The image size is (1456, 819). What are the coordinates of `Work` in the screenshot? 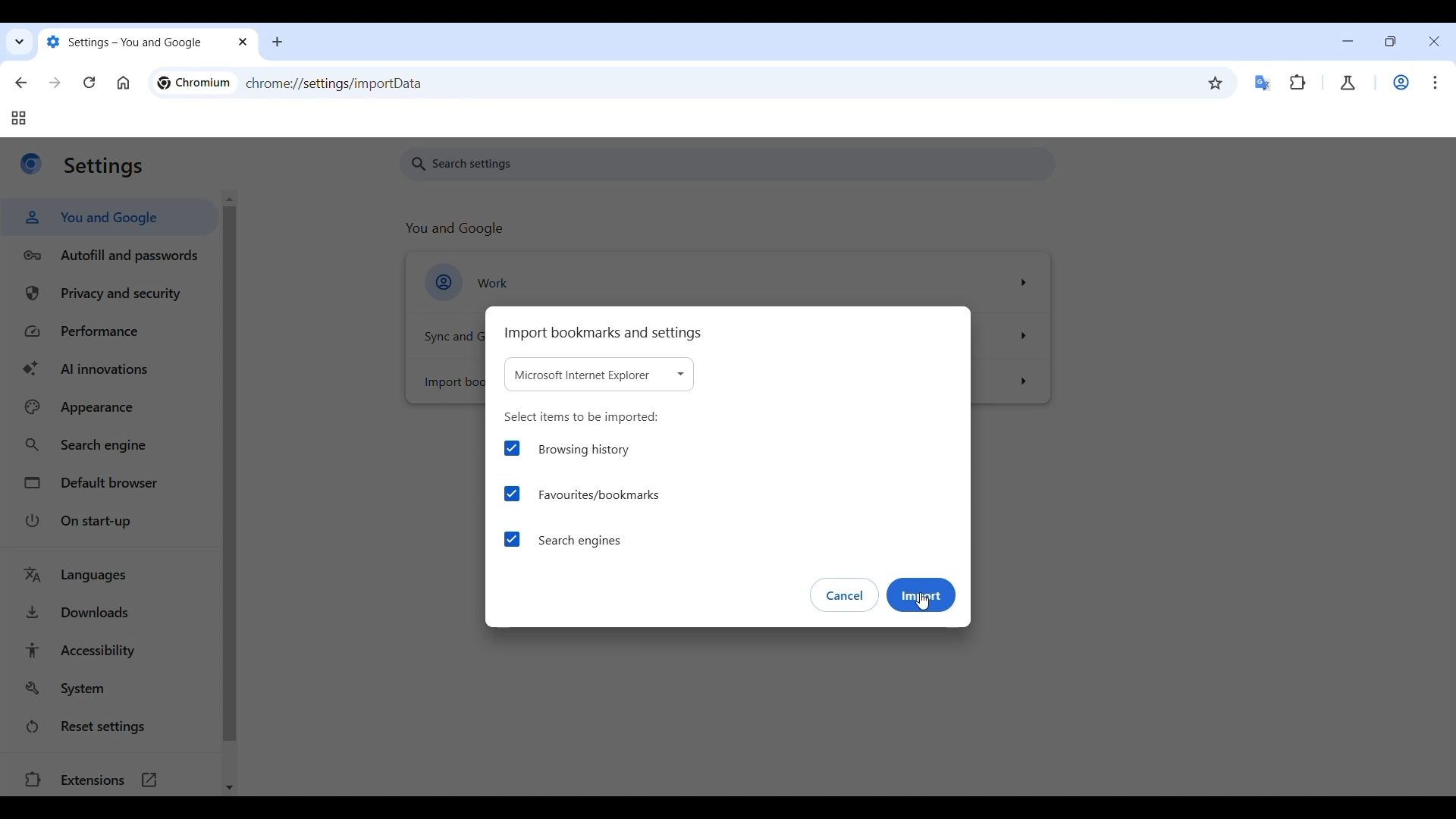 It's located at (1401, 82).